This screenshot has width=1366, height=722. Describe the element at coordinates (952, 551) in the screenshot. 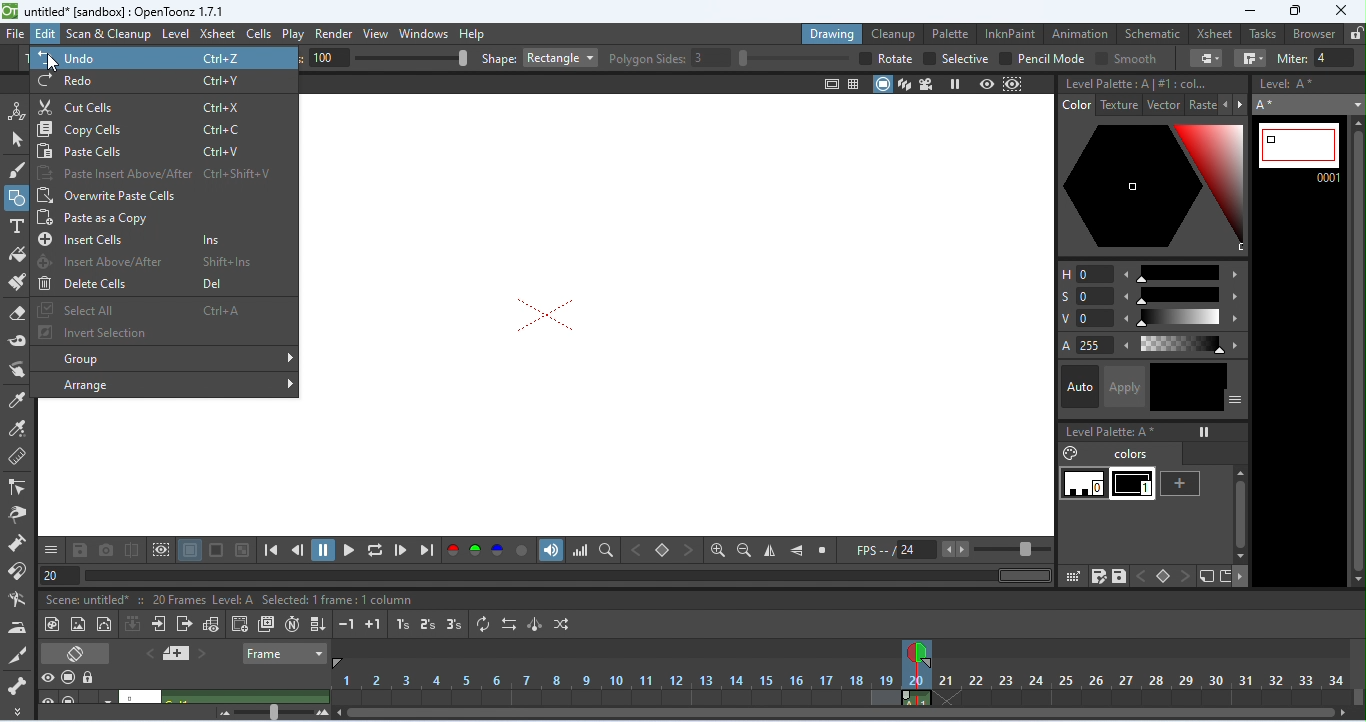

I see `FPS` at that location.